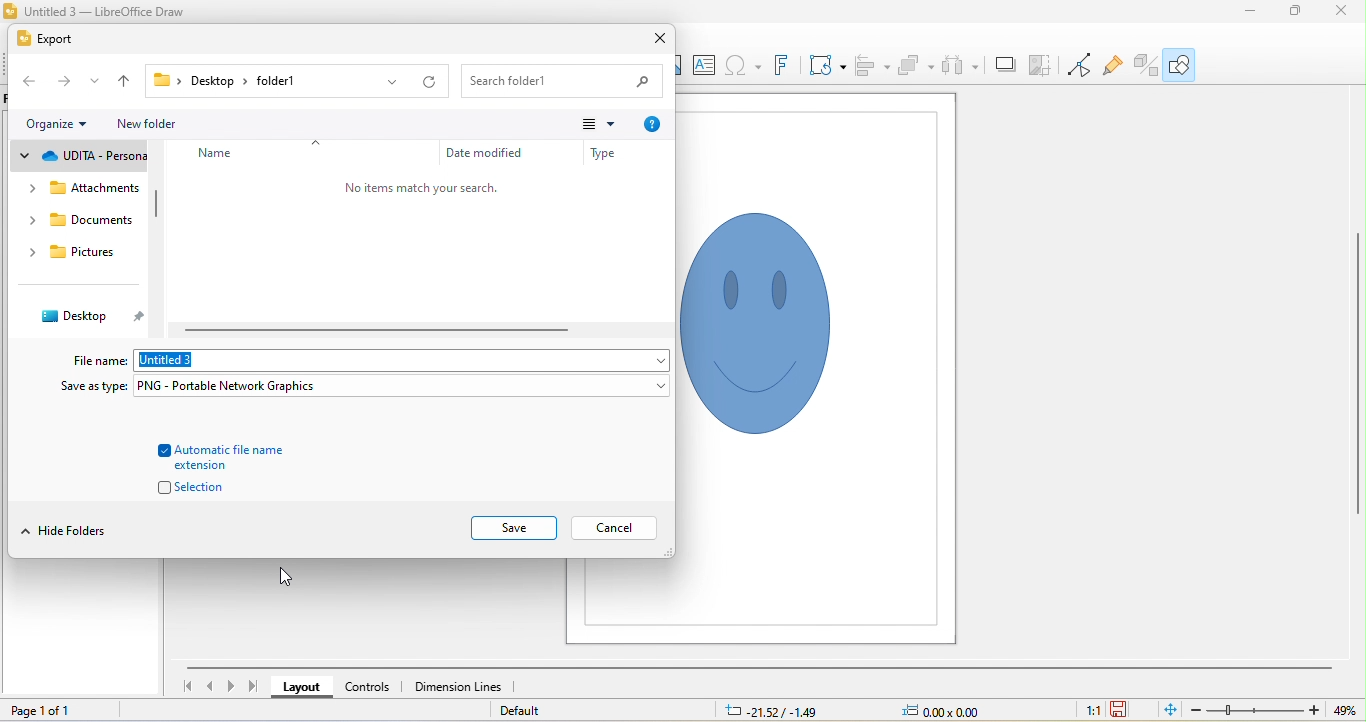 This screenshot has width=1366, height=722. What do you see at coordinates (61, 81) in the screenshot?
I see `forward` at bounding box center [61, 81].